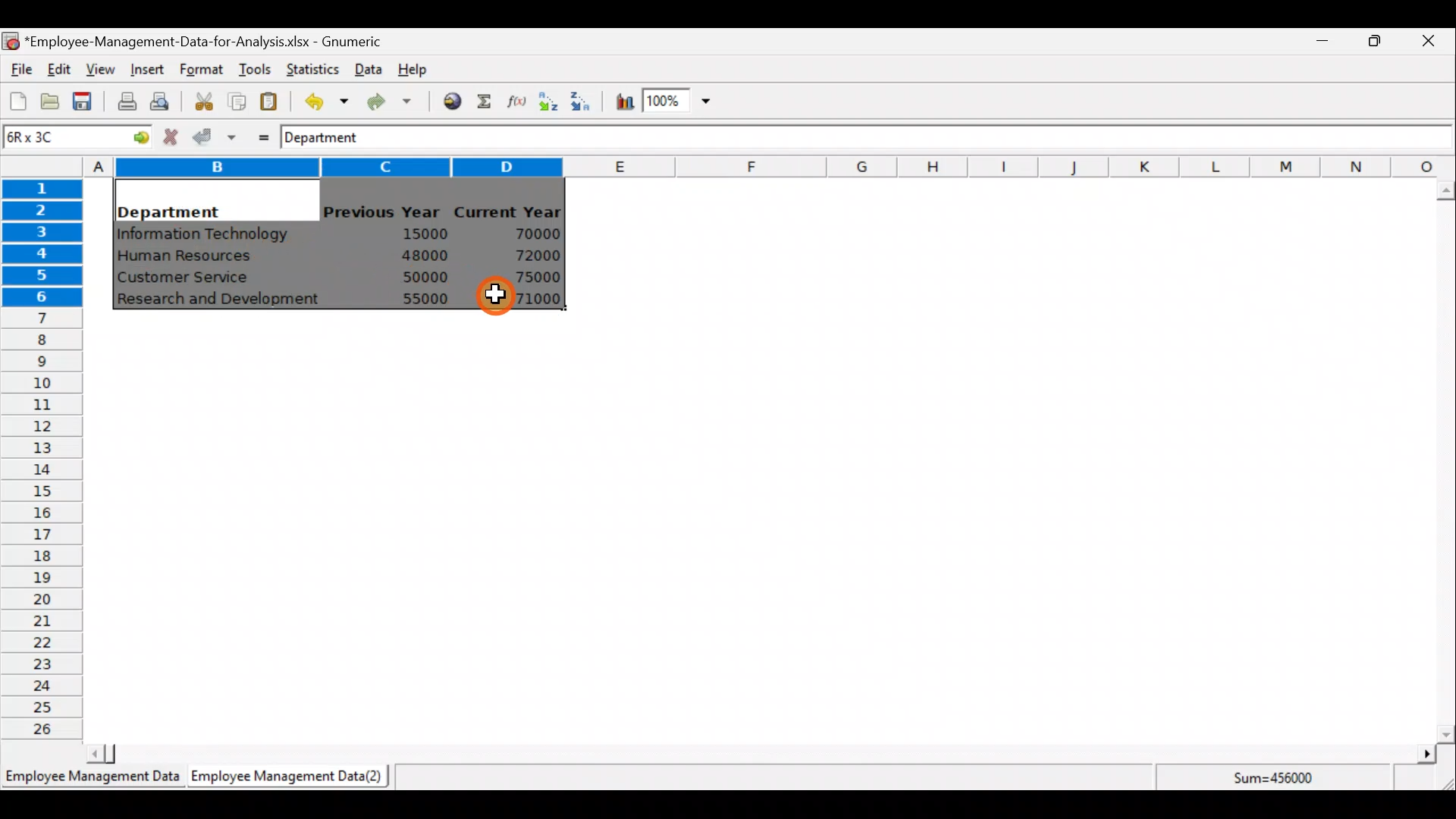 Image resolution: width=1456 pixels, height=819 pixels. What do you see at coordinates (42, 456) in the screenshot?
I see `Rows` at bounding box center [42, 456].